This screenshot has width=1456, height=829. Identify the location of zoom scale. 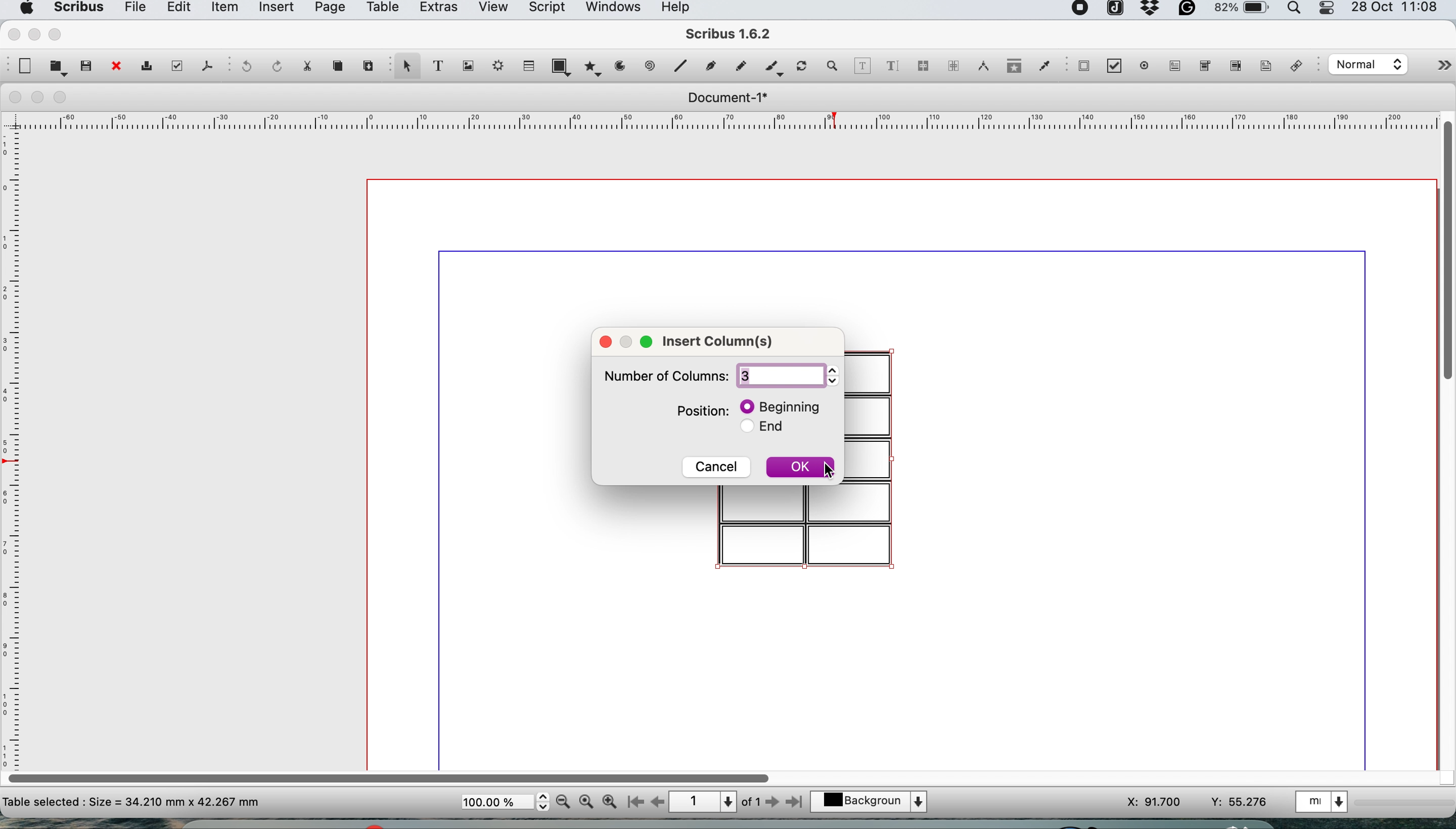
(505, 802).